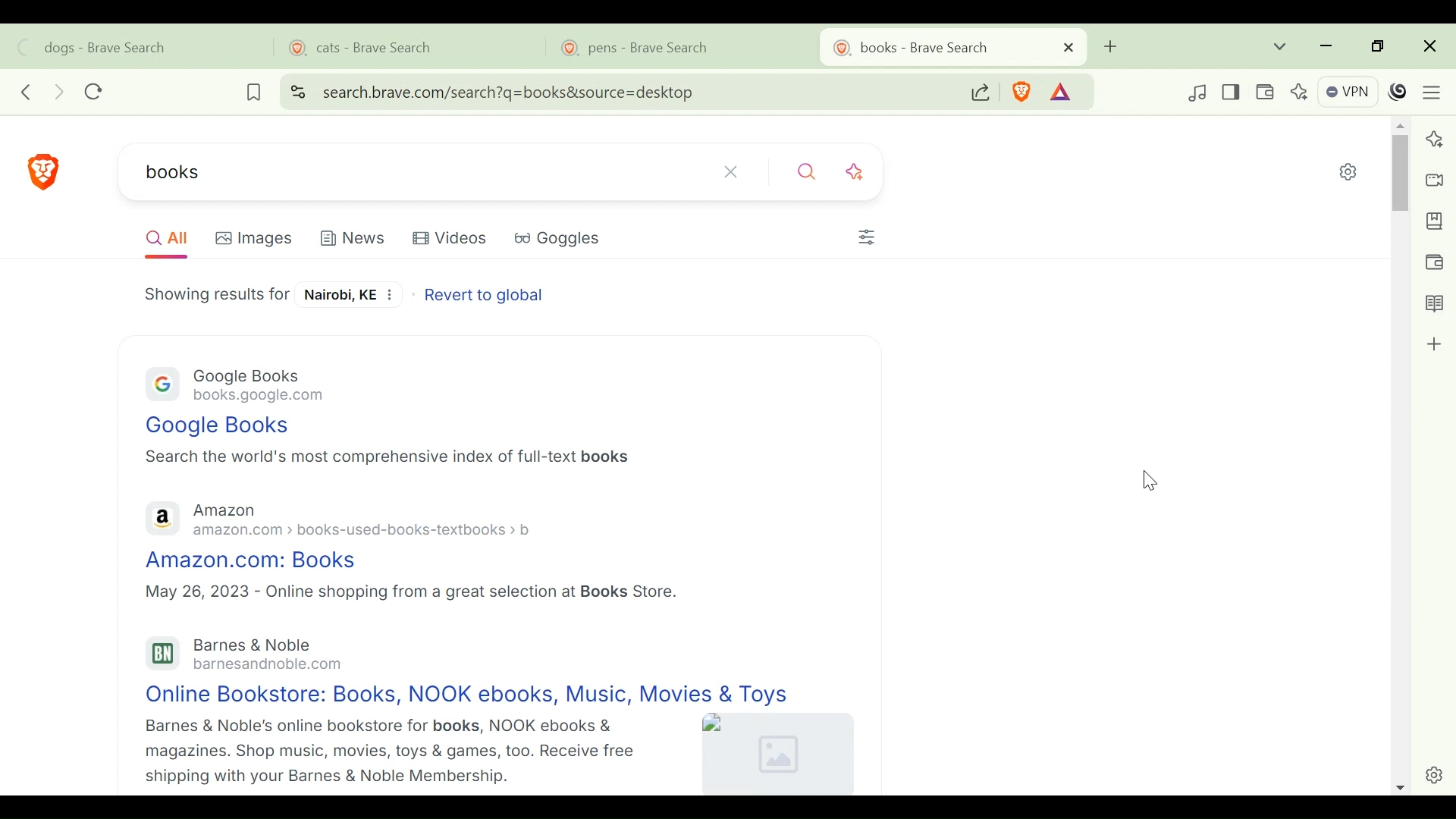  Describe the element at coordinates (350, 237) in the screenshot. I see `News` at that location.